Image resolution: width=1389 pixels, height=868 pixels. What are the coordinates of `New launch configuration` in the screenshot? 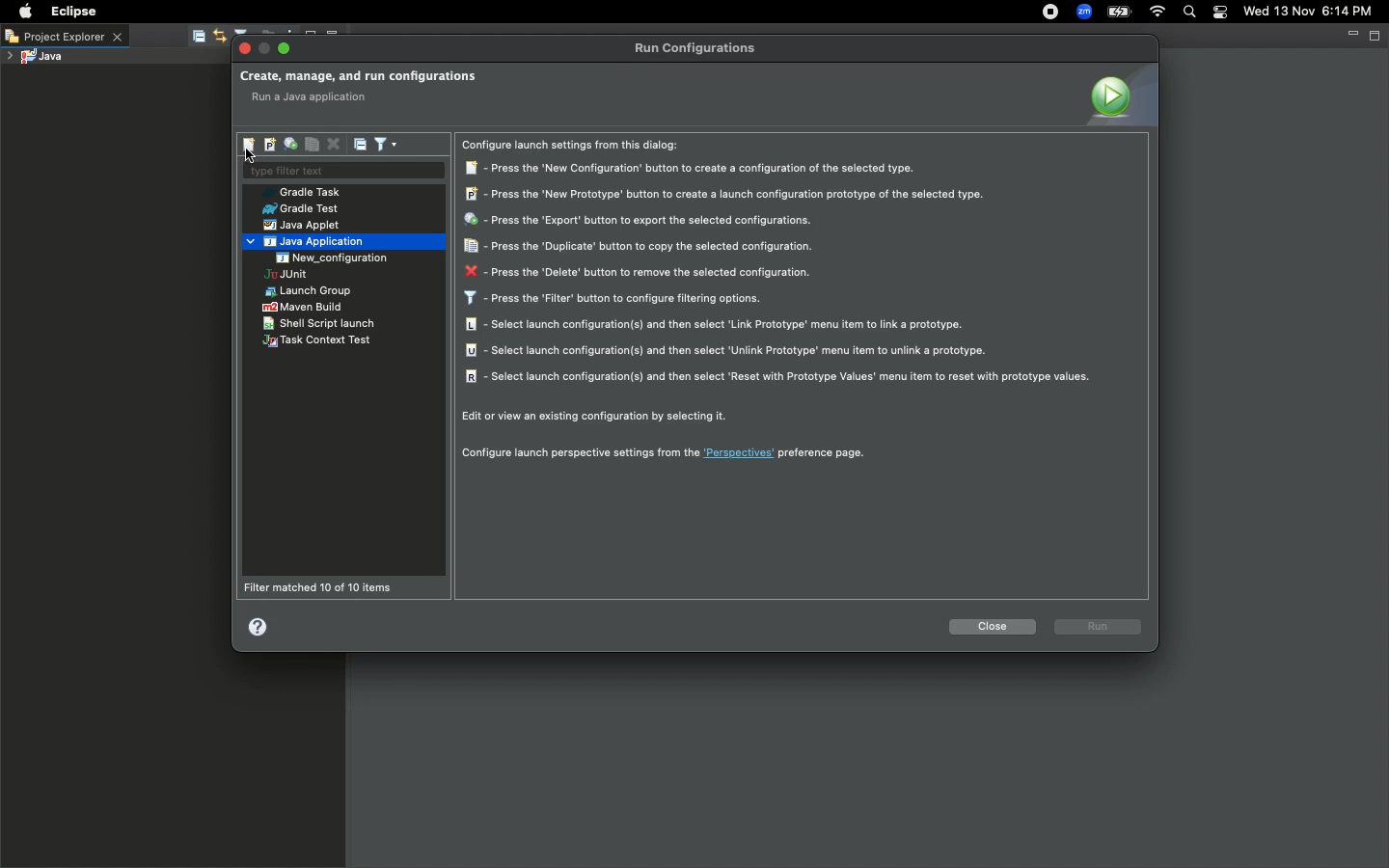 It's located at (250, 145).